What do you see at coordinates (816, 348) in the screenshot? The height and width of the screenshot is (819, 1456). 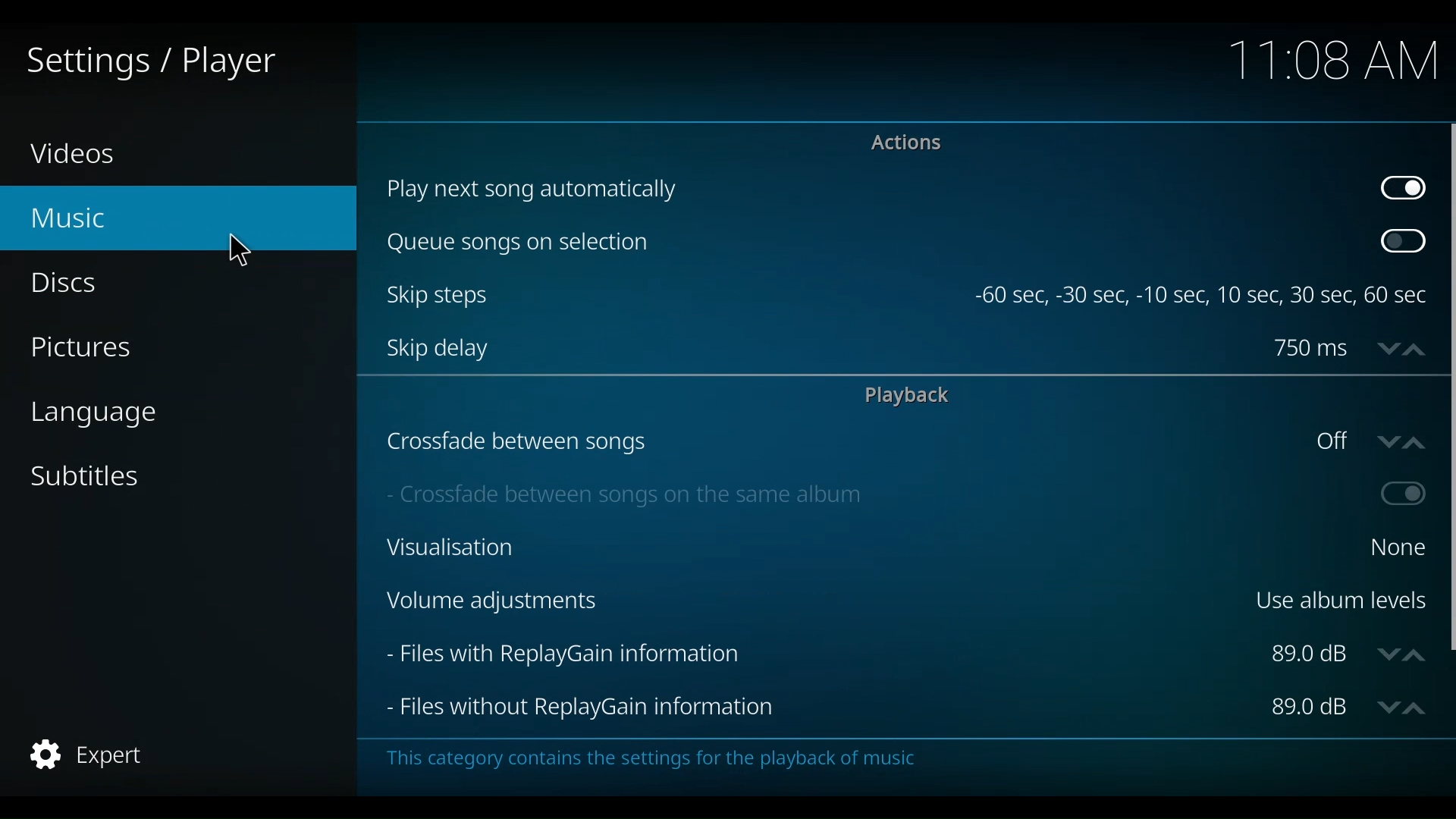 I see `Skip delay` at bounding box center [816, 348].